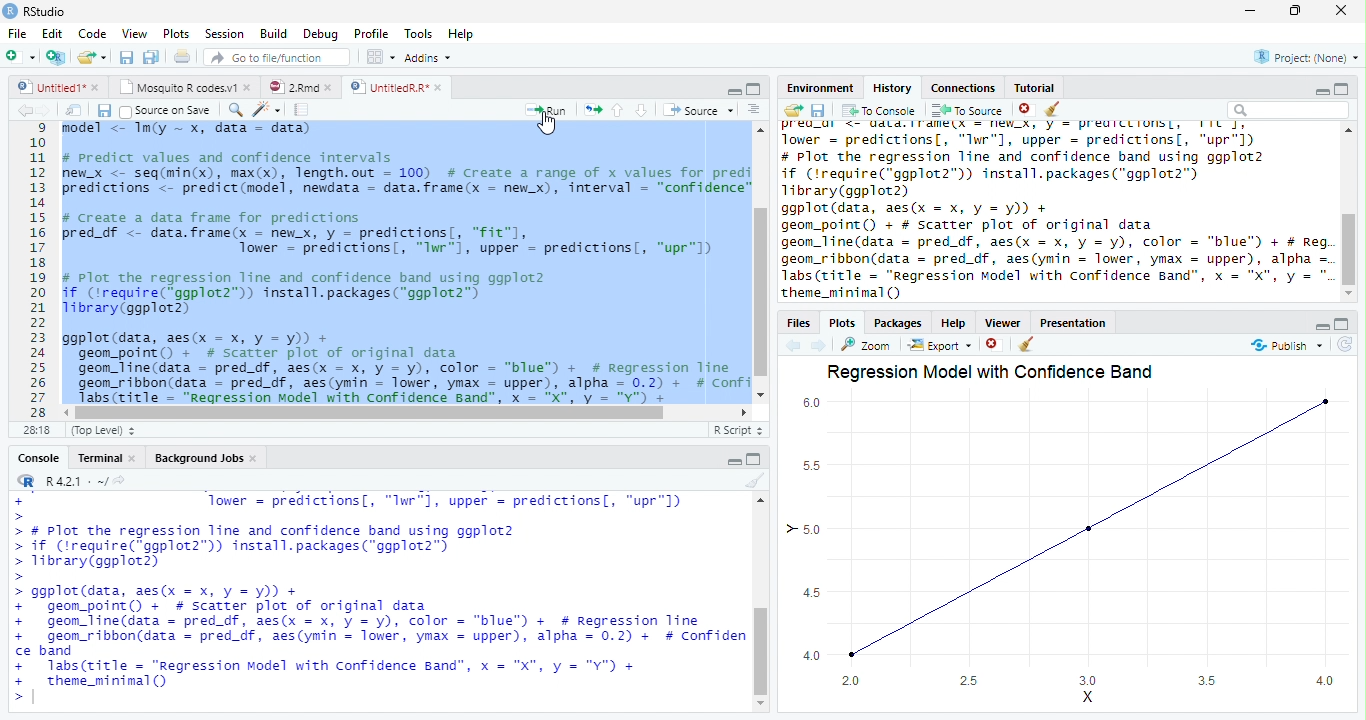  What do you see at coordinates (738, 430) in the screenshot?
I see `R script` at bounding box center [738, 430].